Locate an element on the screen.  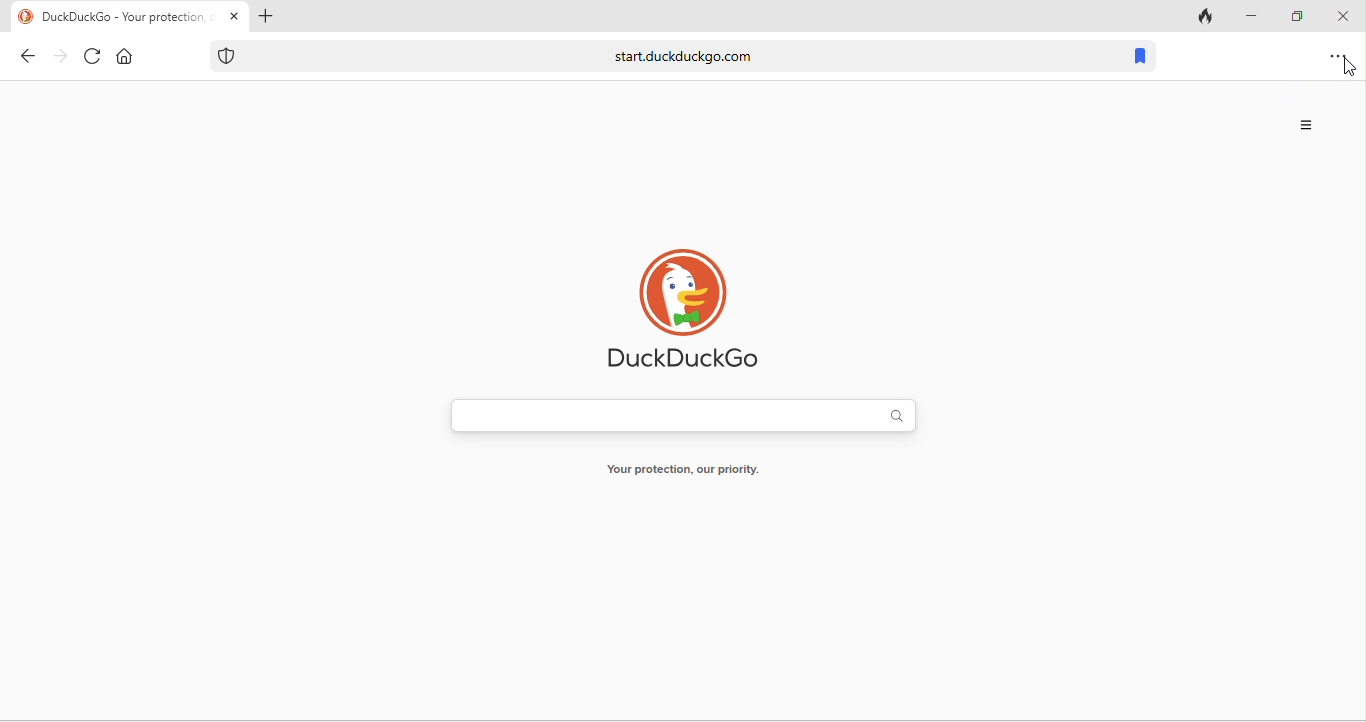
cursor is located at coordinates (1348, 69).